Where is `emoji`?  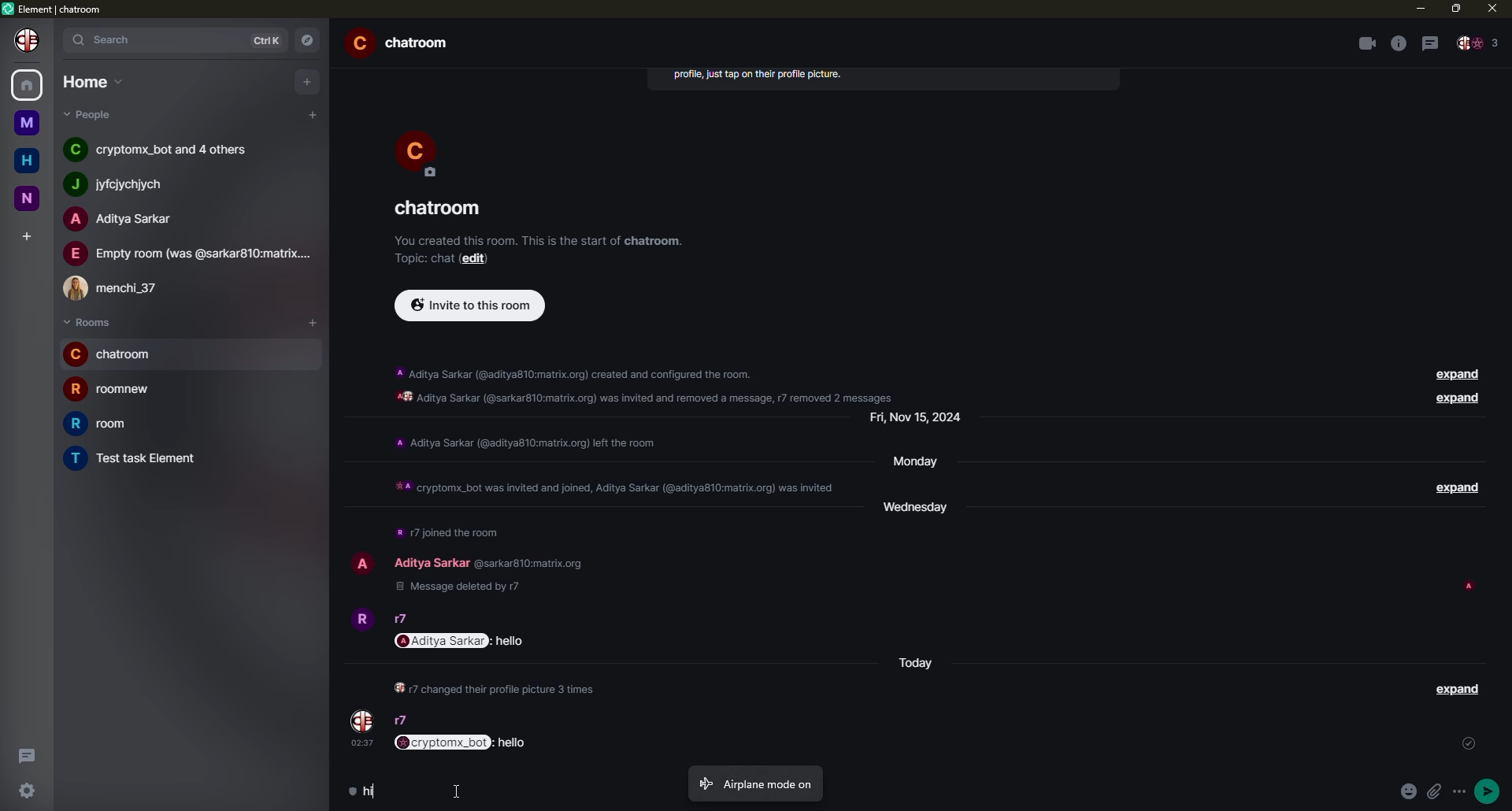 emoji is located at coordinates (1406, 792).